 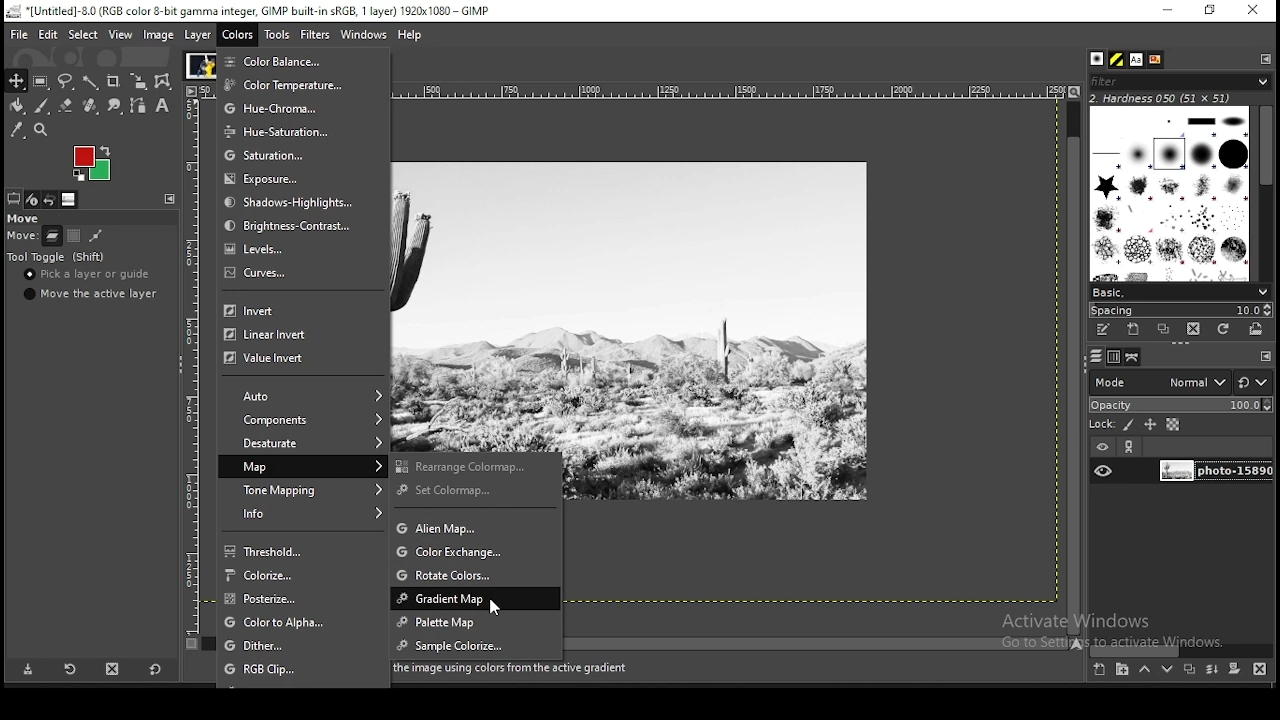 What do you see at coordinates (300, 250) in the screenshot?
I see `levels` at bounding box center [300, 250].